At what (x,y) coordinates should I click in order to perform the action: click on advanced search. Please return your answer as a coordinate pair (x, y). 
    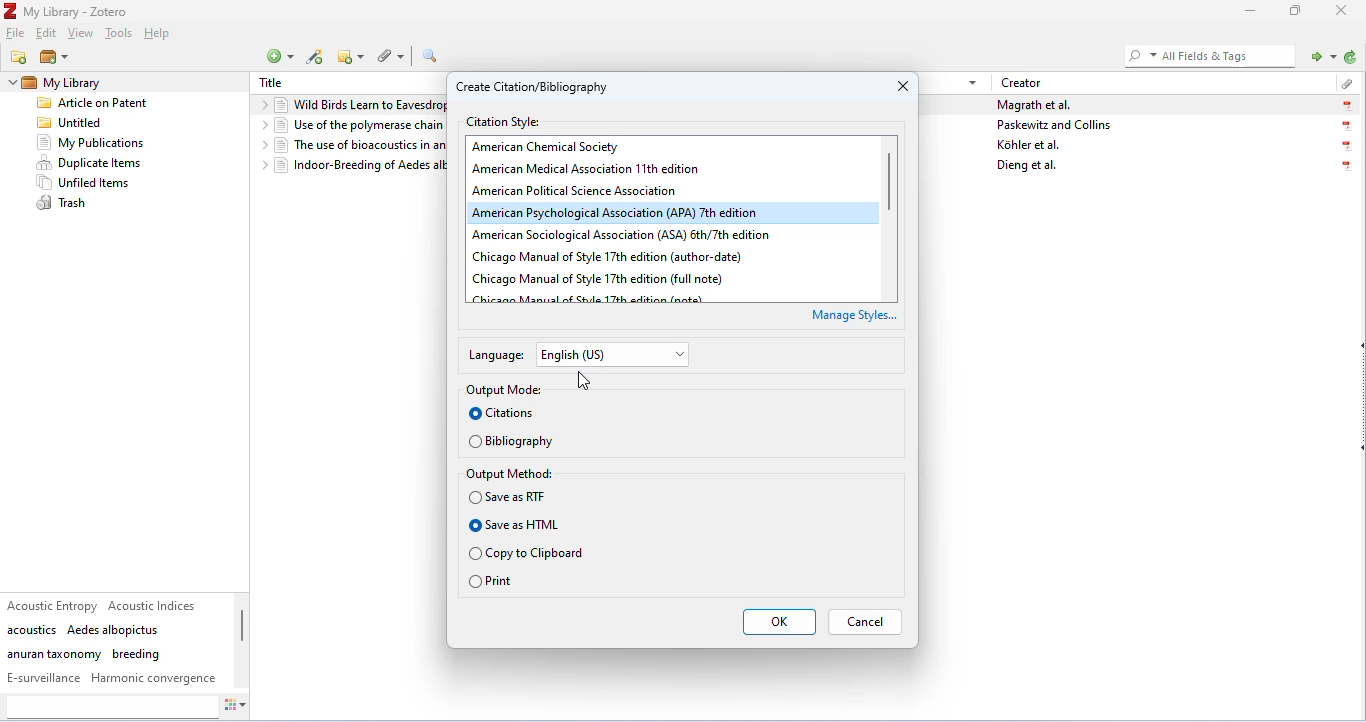
    Looking at the image, I should click on (433, 56).